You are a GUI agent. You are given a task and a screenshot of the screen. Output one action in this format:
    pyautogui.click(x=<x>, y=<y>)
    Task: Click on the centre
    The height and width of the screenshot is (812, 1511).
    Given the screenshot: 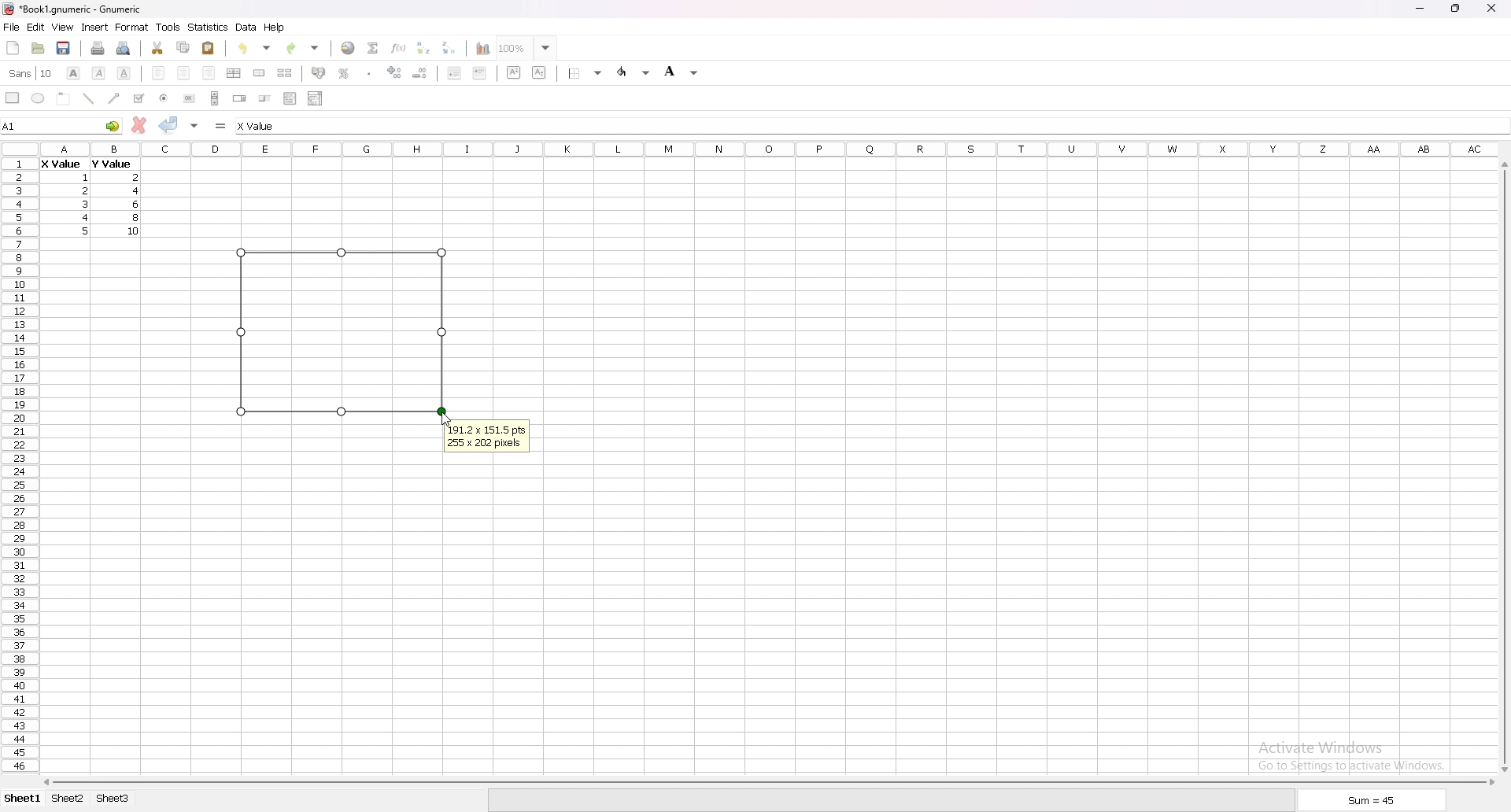 What is the action you would take?
    pyautogui.click(x=184, y=72)
    